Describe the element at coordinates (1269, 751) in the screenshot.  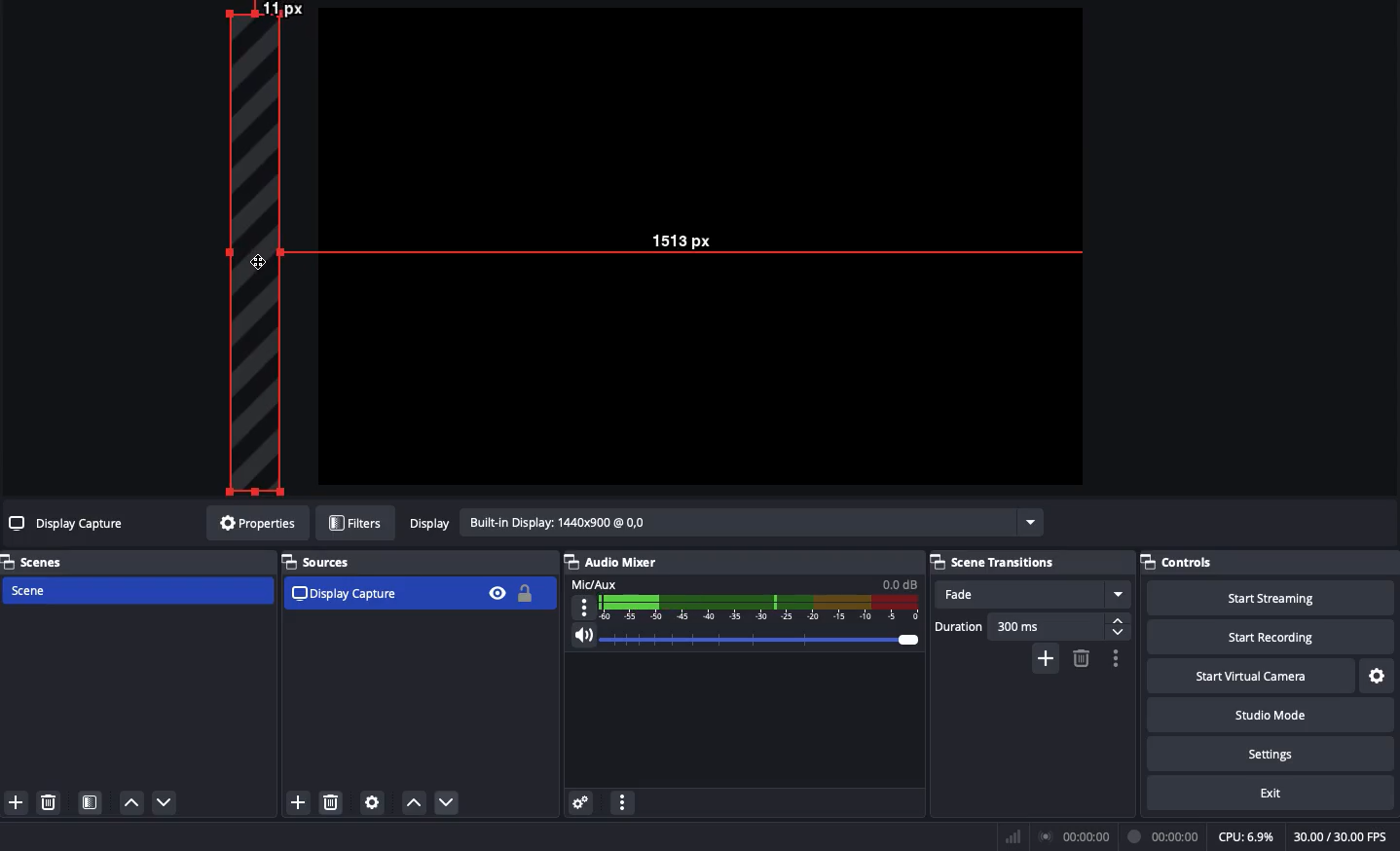
I see `Settings` at that location.